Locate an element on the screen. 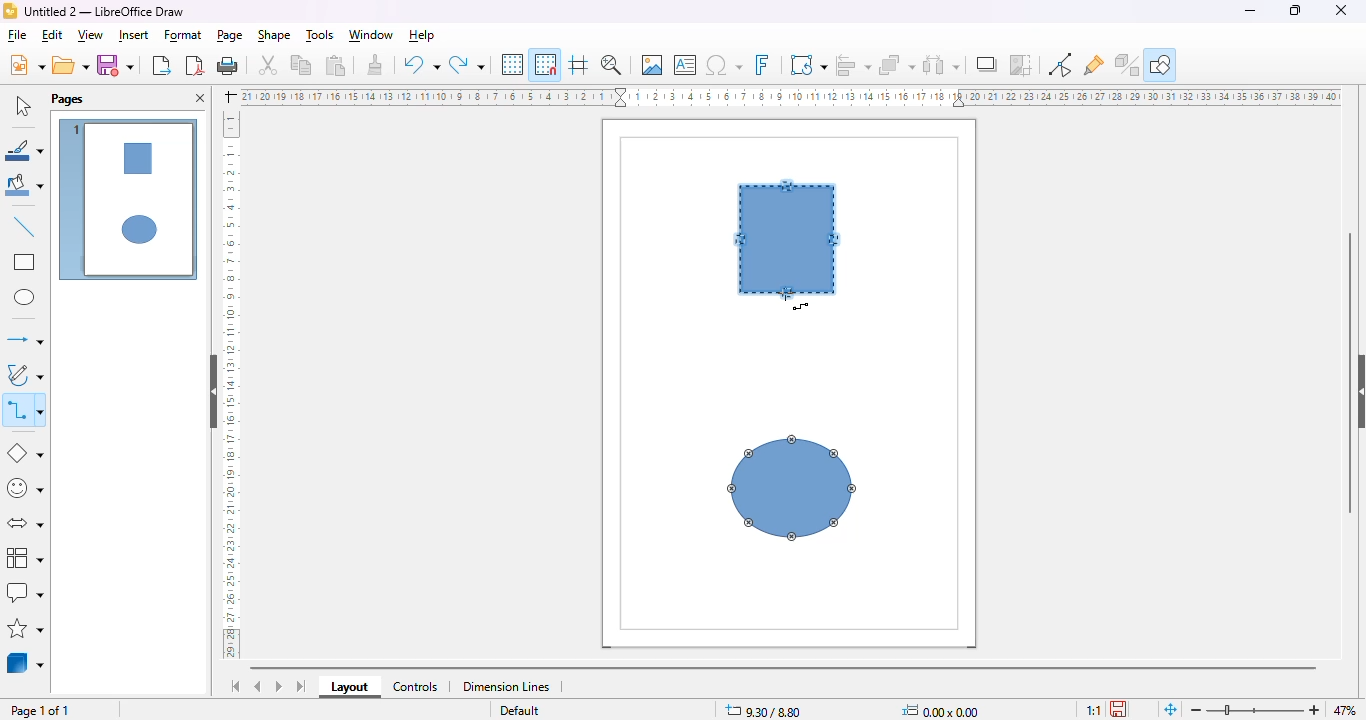  connectors is located at coordinates (26, 409).